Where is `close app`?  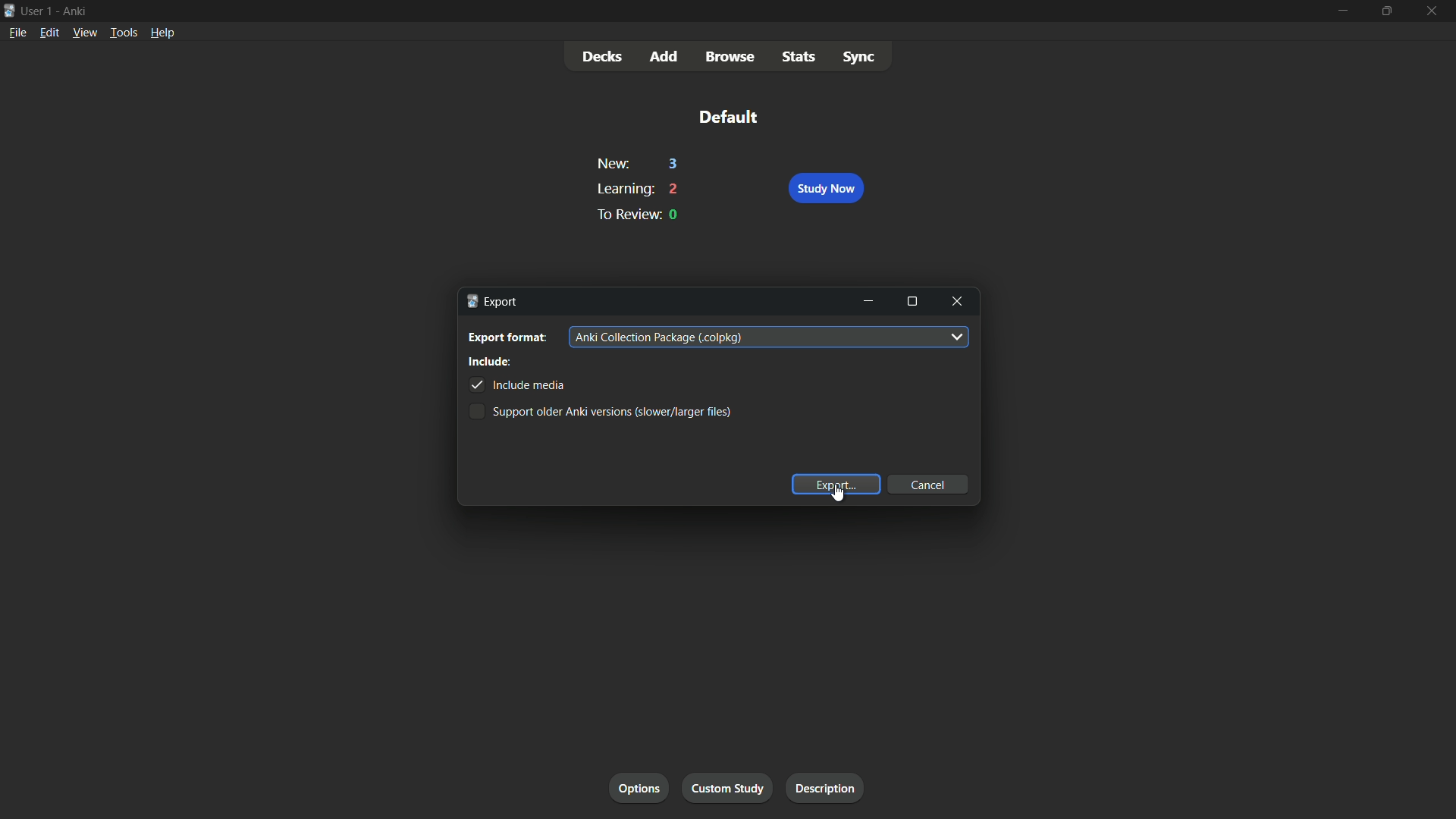 close app is located at coordinates (1435, 11).